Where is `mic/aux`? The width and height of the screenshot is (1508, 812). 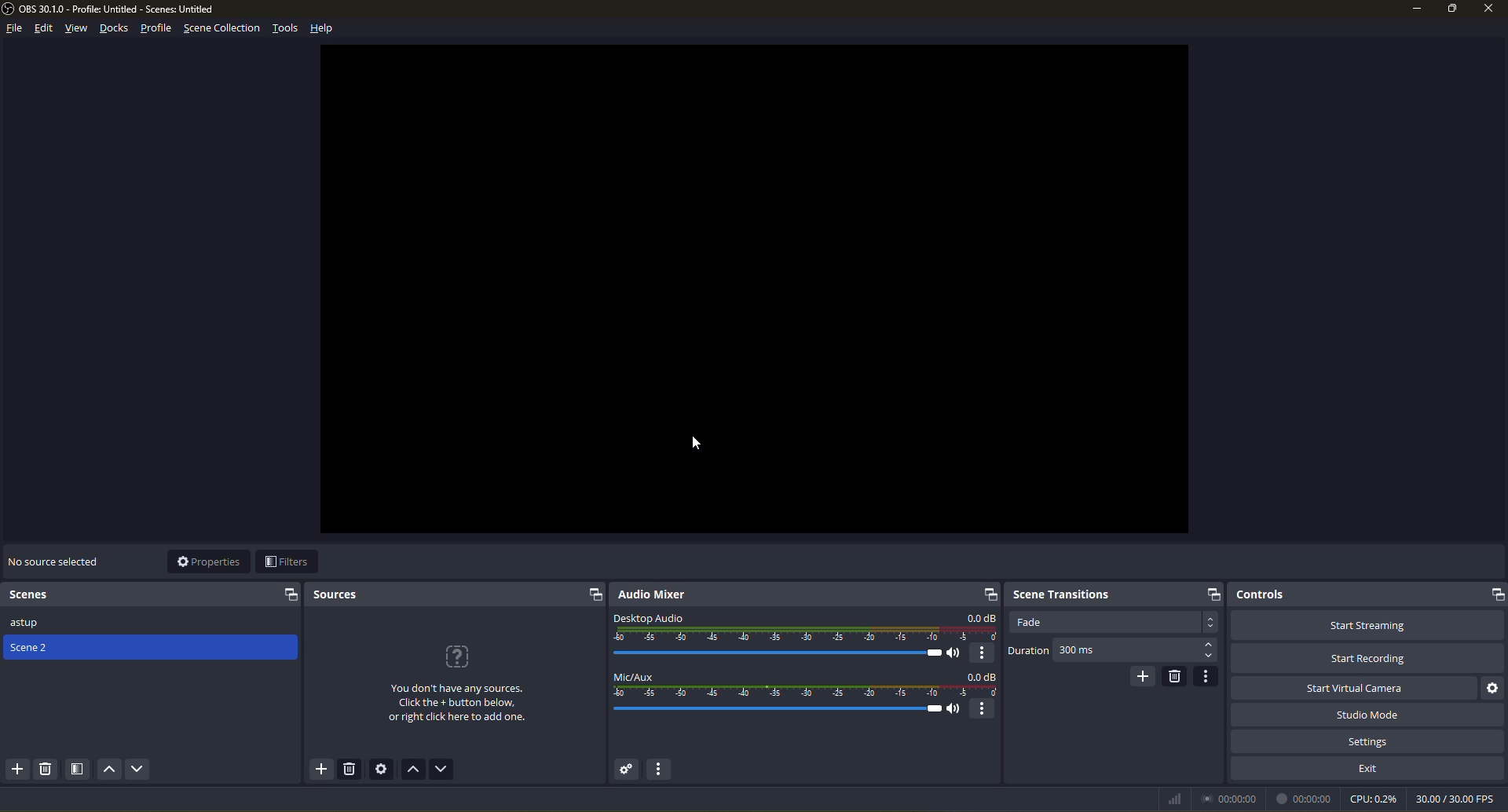
mic/aux is located at coordinates (631, 676).